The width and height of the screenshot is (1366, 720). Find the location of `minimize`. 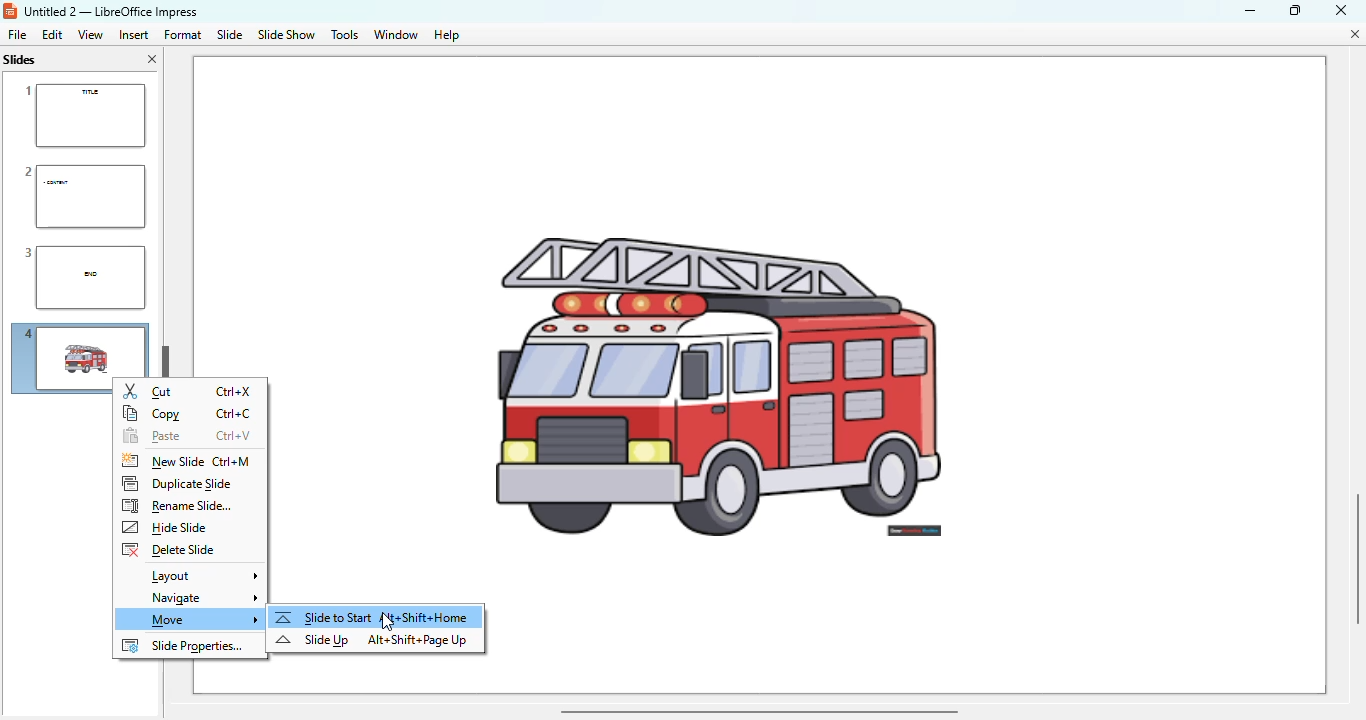

minimize is located at coordinates (1249, 10).